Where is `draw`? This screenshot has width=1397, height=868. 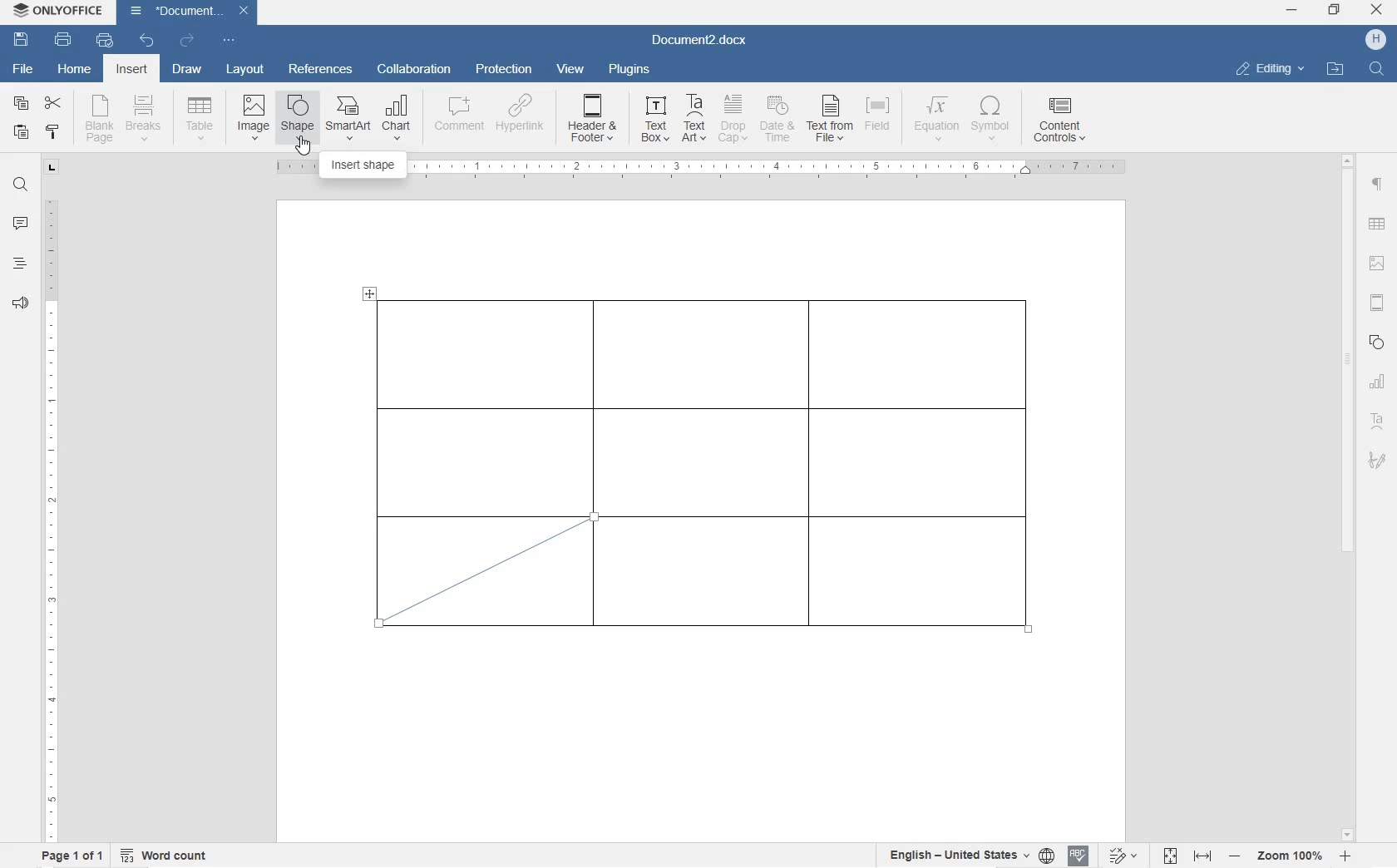
draw is located at coordinates (187, 69).